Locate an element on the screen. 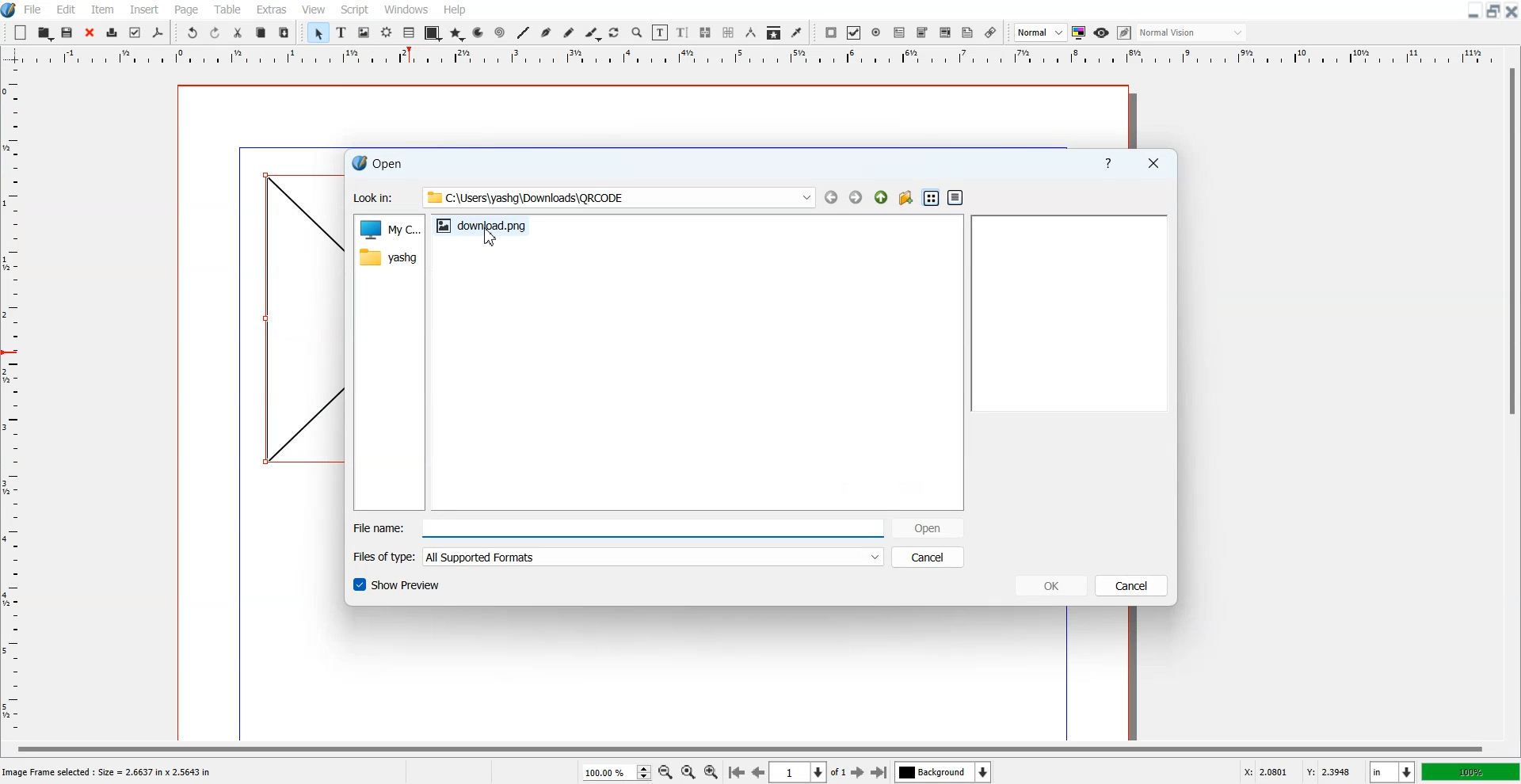 This screenshot has height=784, width=1521. Paste is located at coordinates (284, 32).